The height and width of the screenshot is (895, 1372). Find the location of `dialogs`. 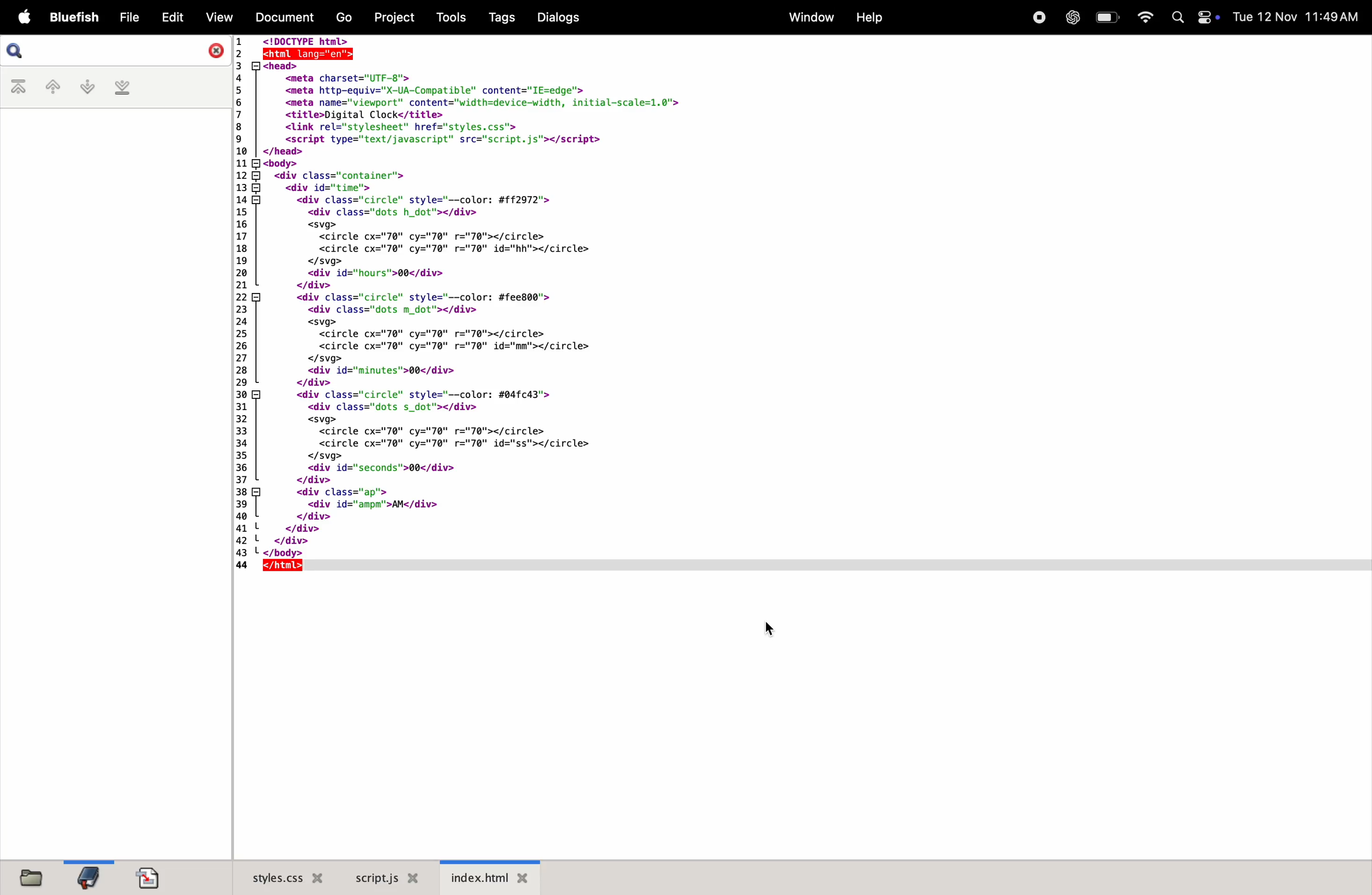

dialogs is located at coordinates (559, 17).